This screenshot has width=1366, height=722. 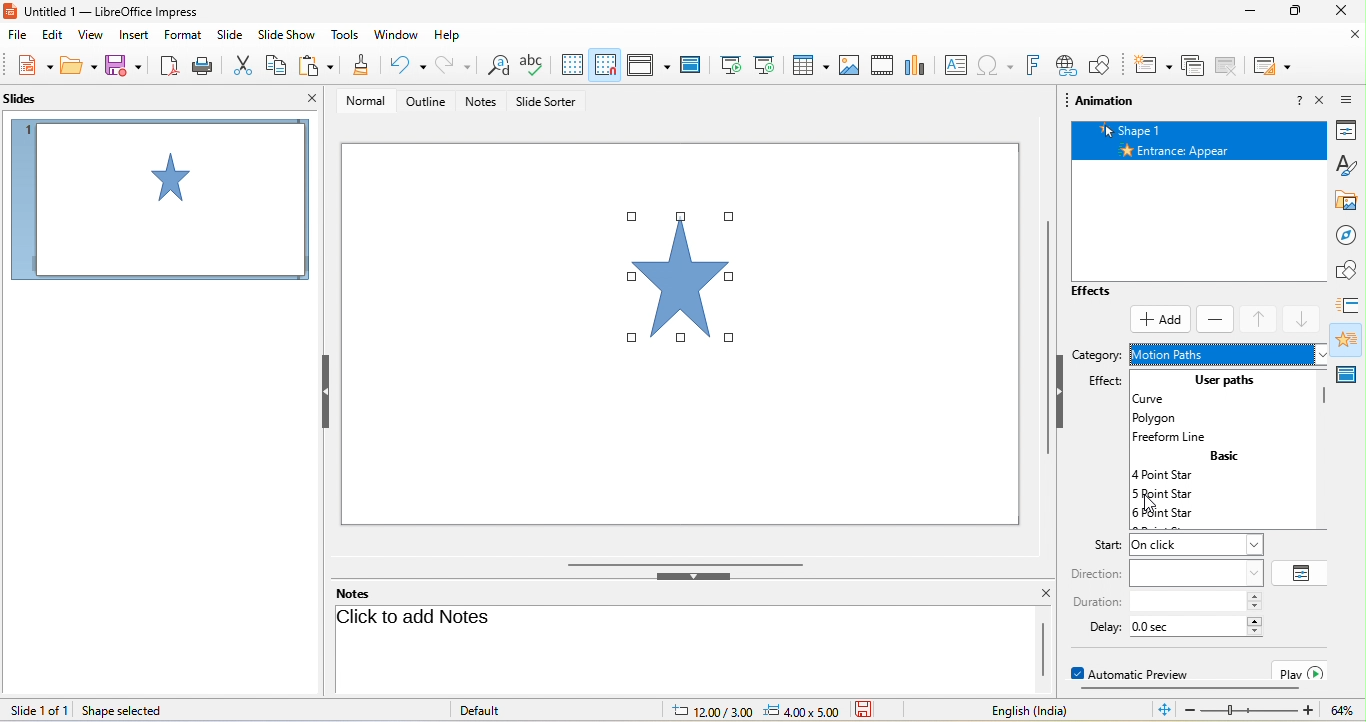 What do you see at coordinates (711, 712) in the screenshot?
I see `cursor location: 12.00/3.00` at bounding box center [711, 712].